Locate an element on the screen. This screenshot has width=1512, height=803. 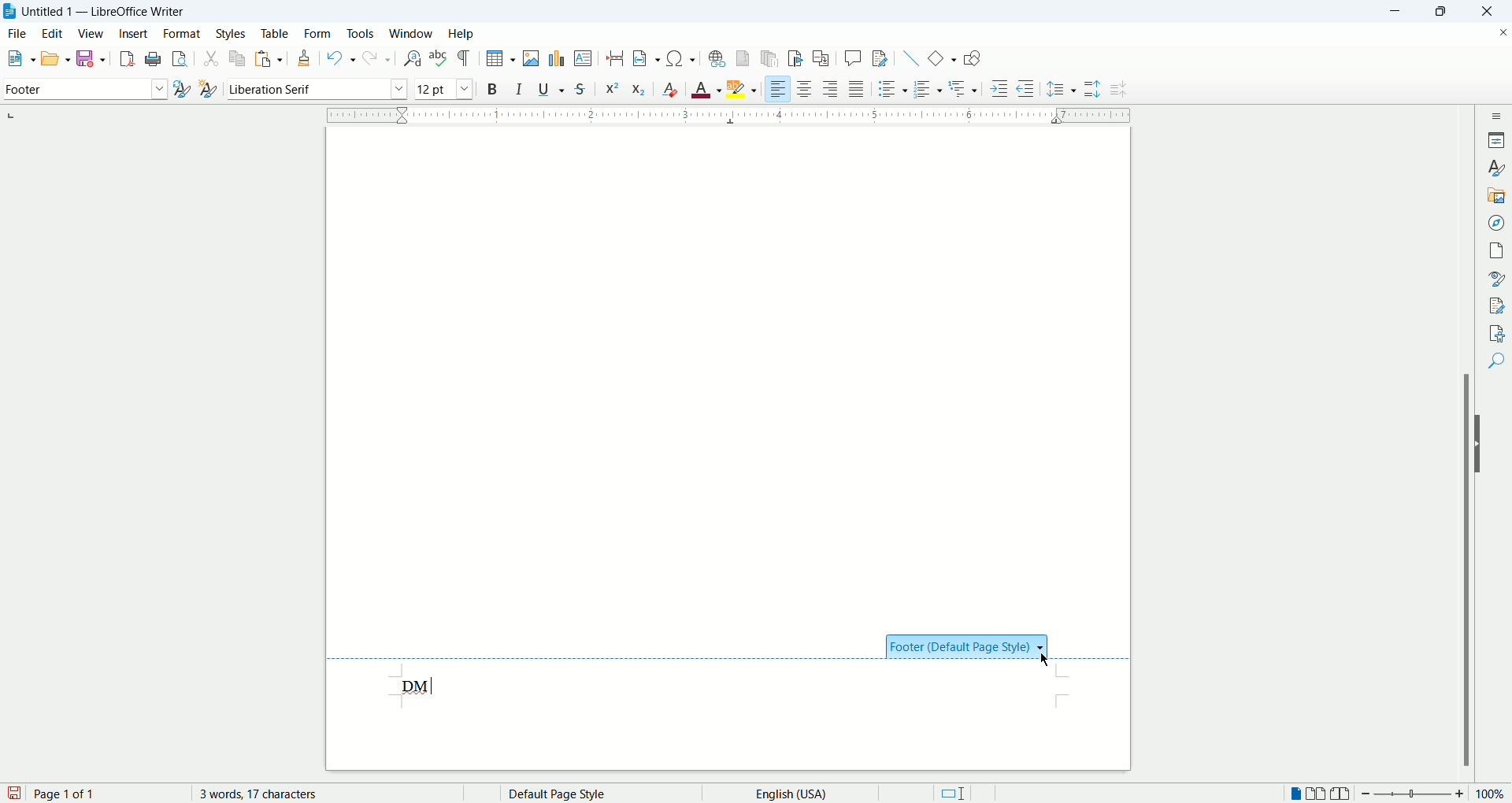
insert chart is located at coordinates (555, 57).